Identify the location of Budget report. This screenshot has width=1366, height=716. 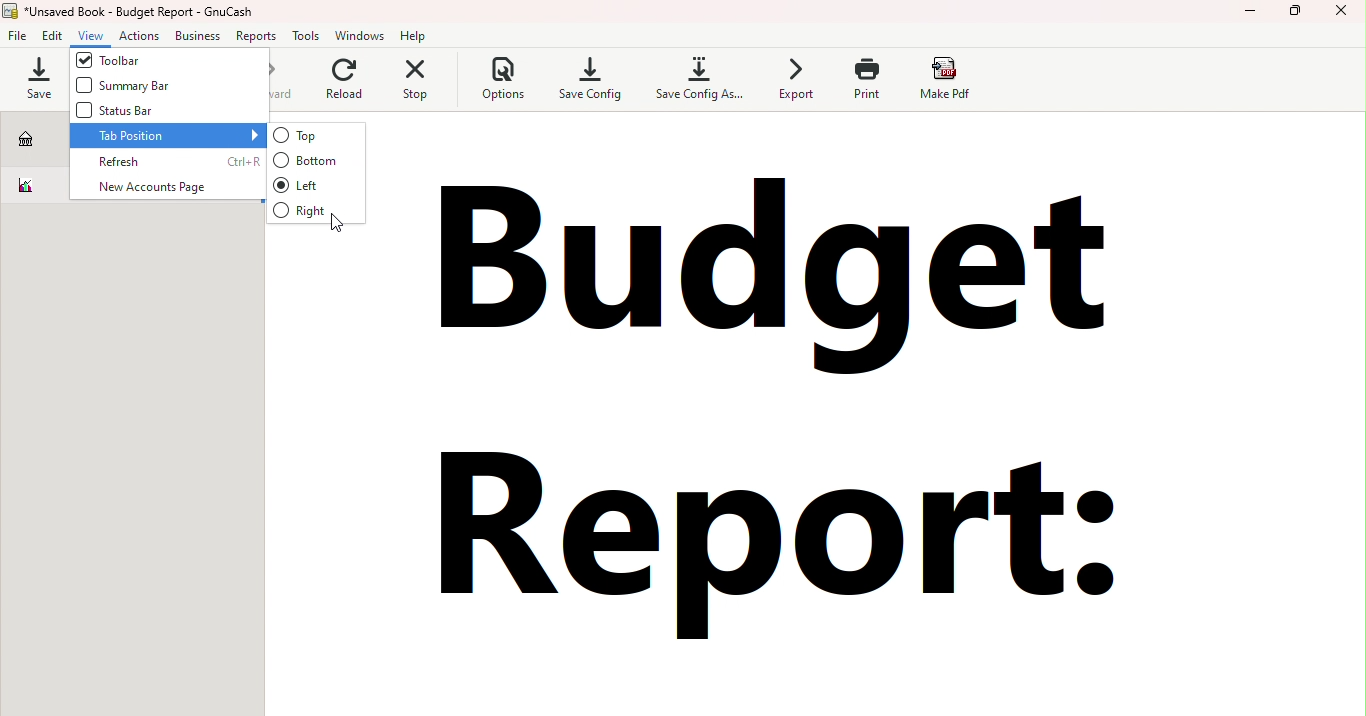
(33, 186).